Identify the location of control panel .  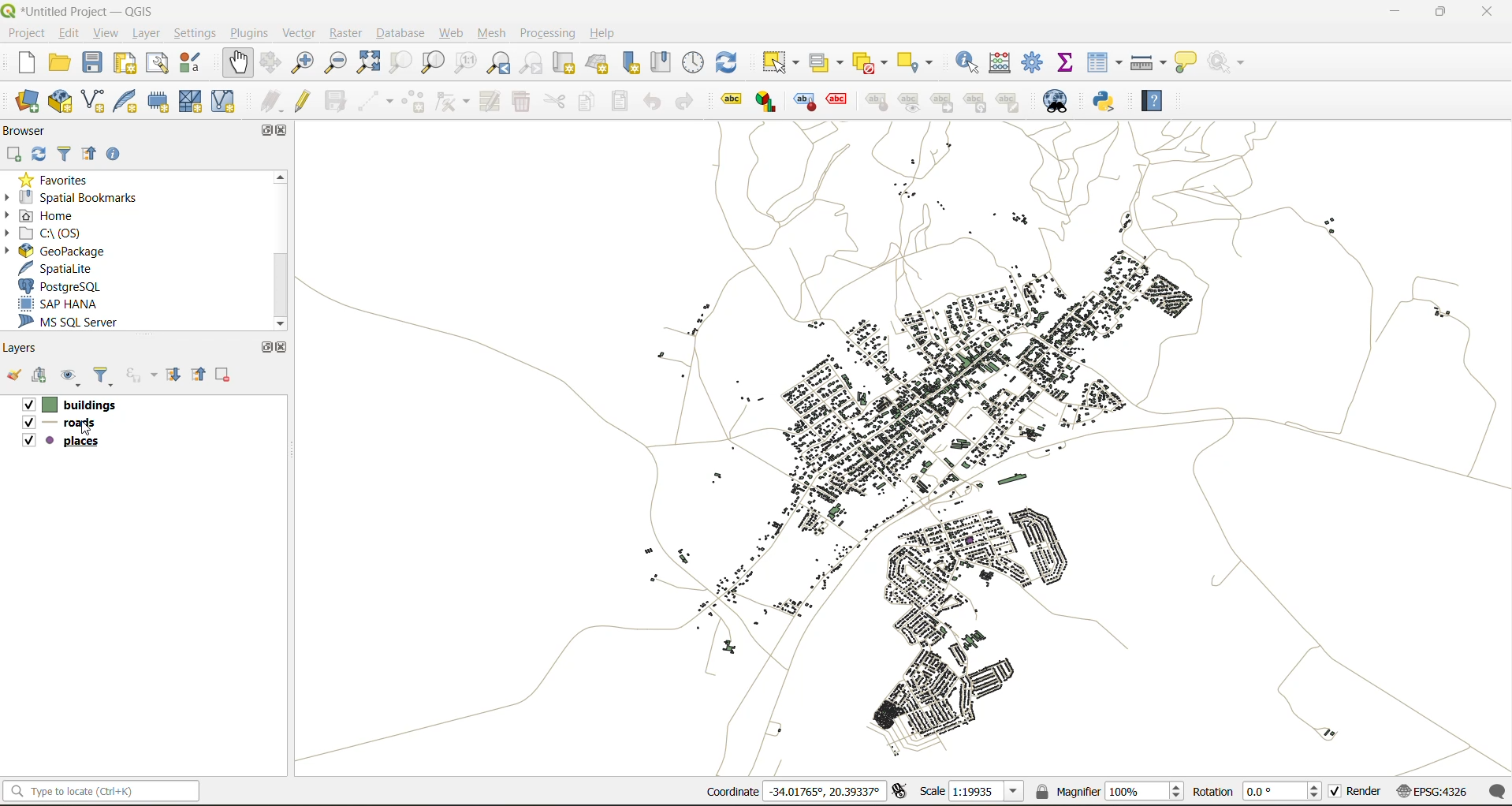
(695, 65).